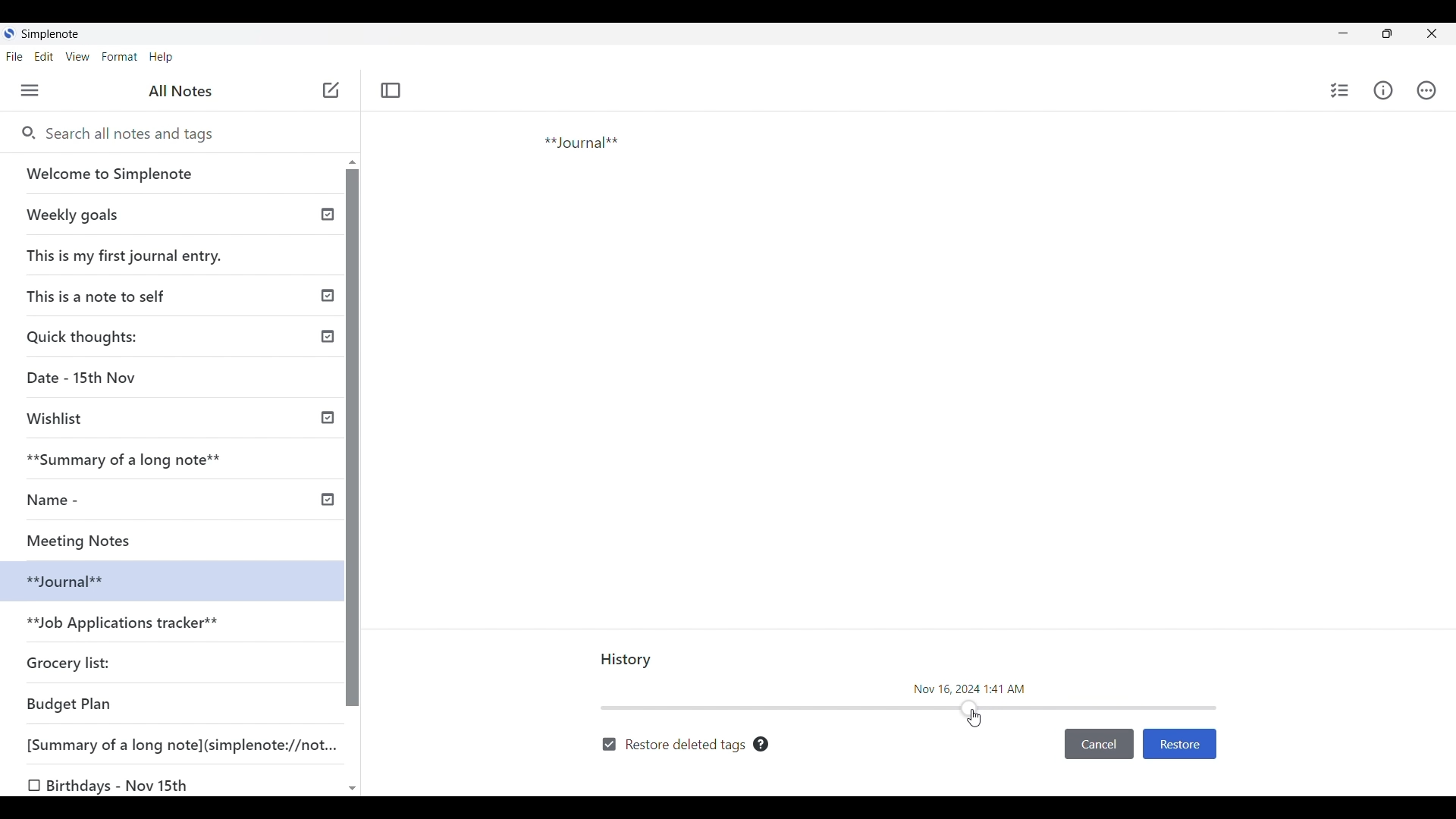 This screenshot has height=819, width=1456. Describe the element at coordinates (96, 538) in the screenshot. I see `Meeting Notes` at that location.